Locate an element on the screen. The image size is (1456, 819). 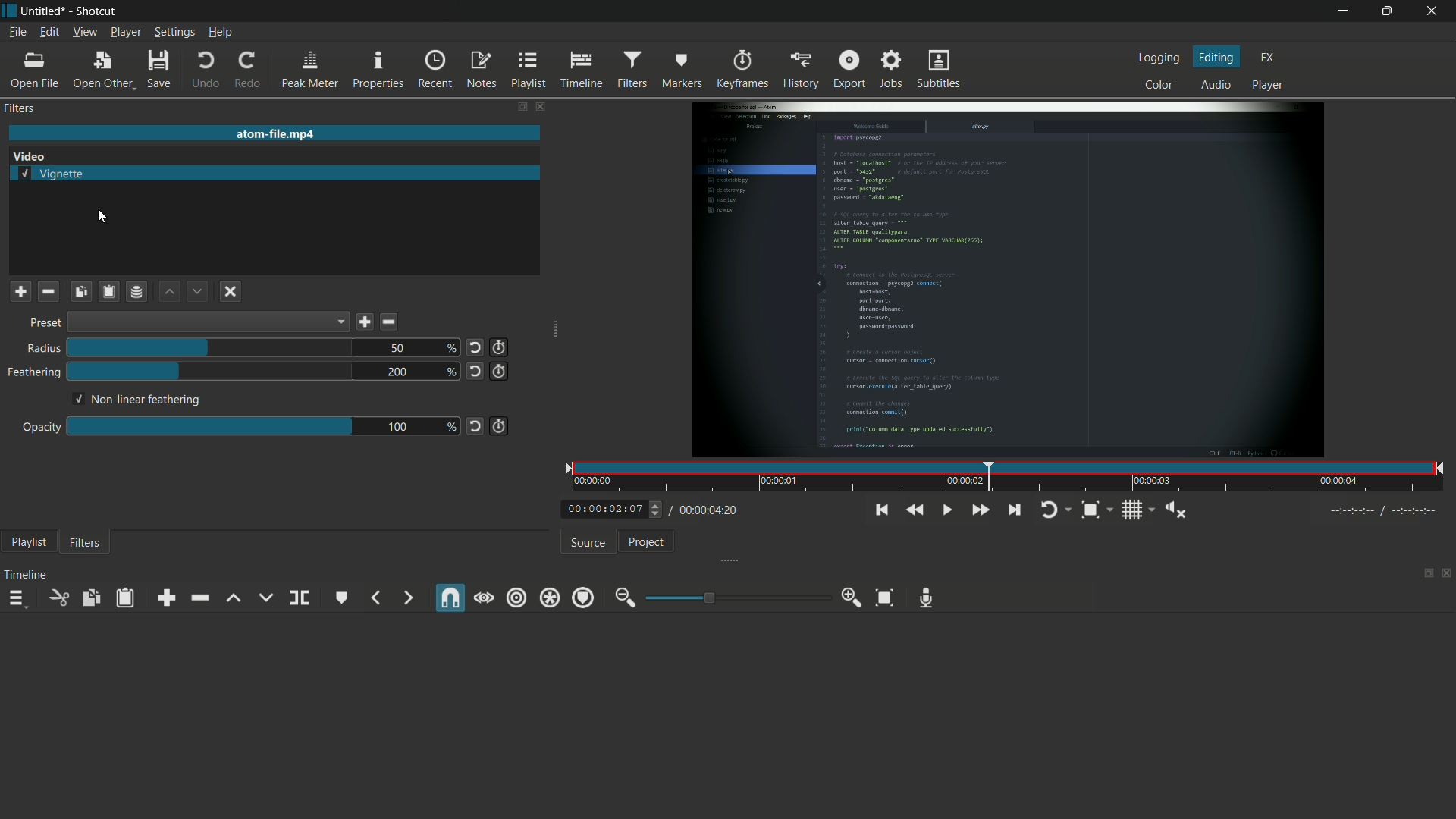
save is located at coordinates (362, 323).